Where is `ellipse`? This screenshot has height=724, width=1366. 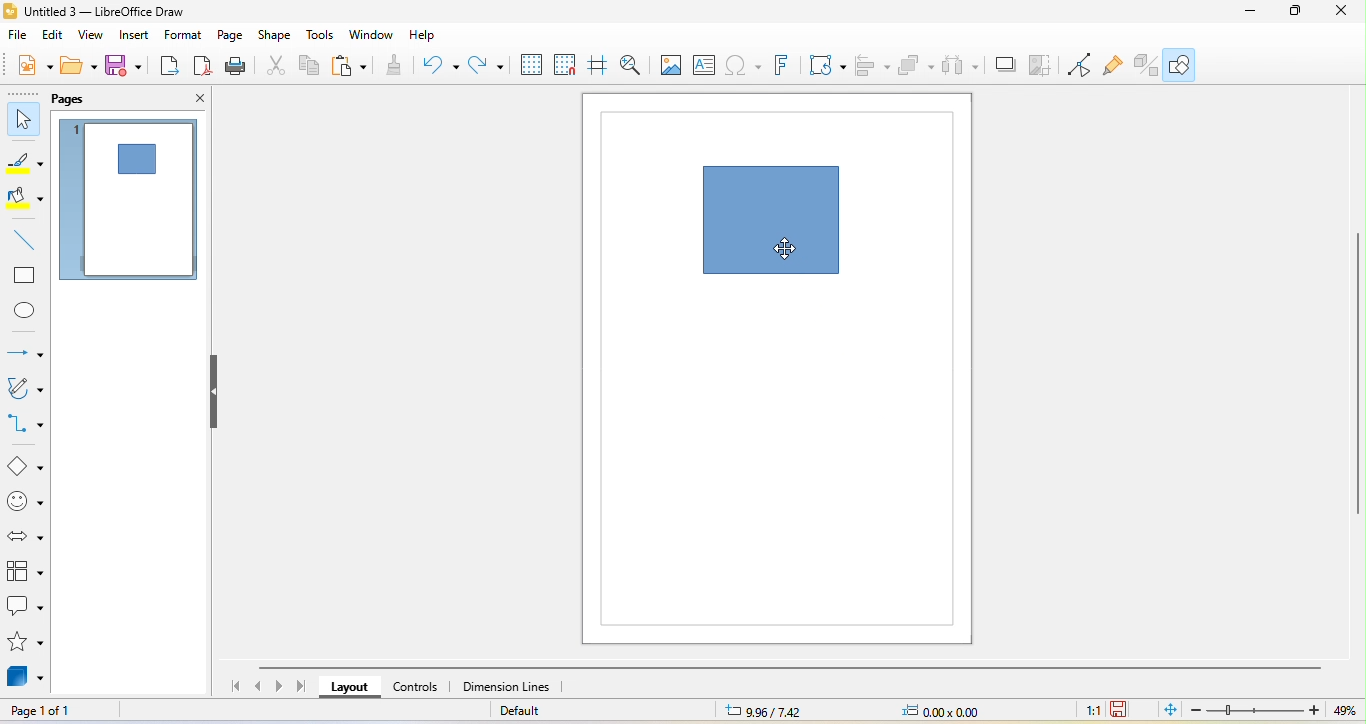
ellipse is located at coordinates (26, 312).